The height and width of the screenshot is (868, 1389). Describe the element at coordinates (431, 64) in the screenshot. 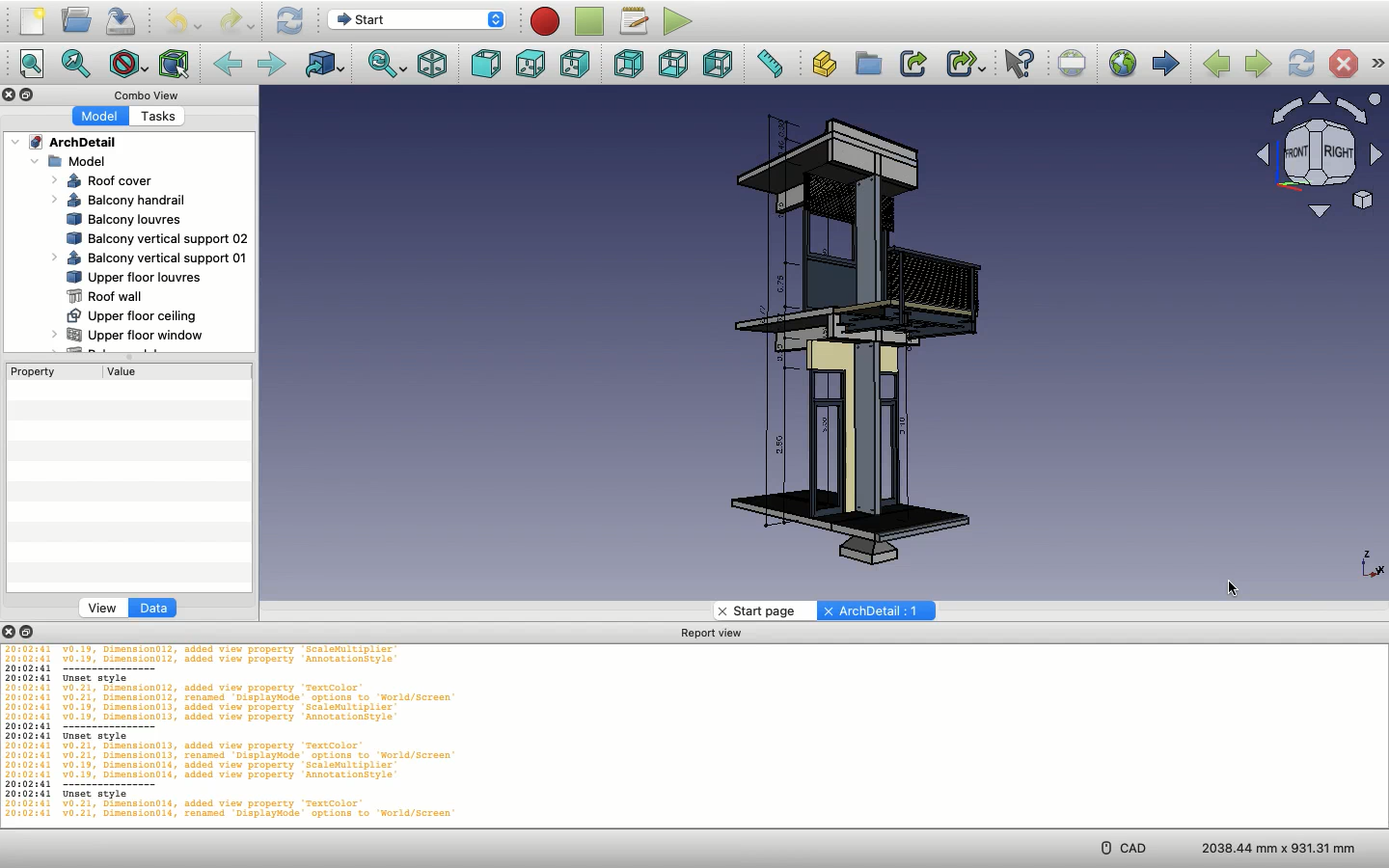

I see `Isometric` at that location.